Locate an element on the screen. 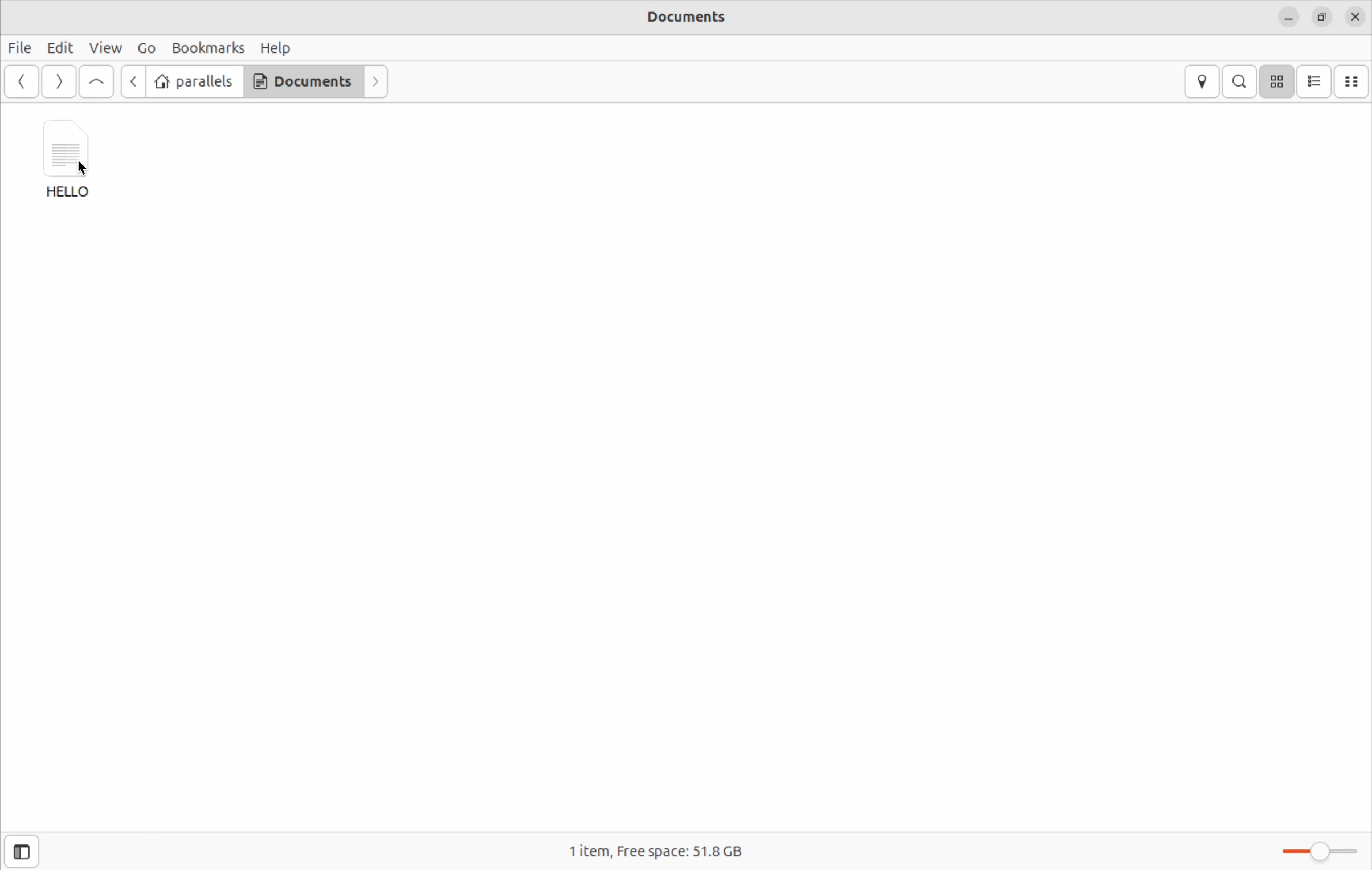 This screenshot has width=1372, height=870. Bookmarks is located at coordinates (210, 46).